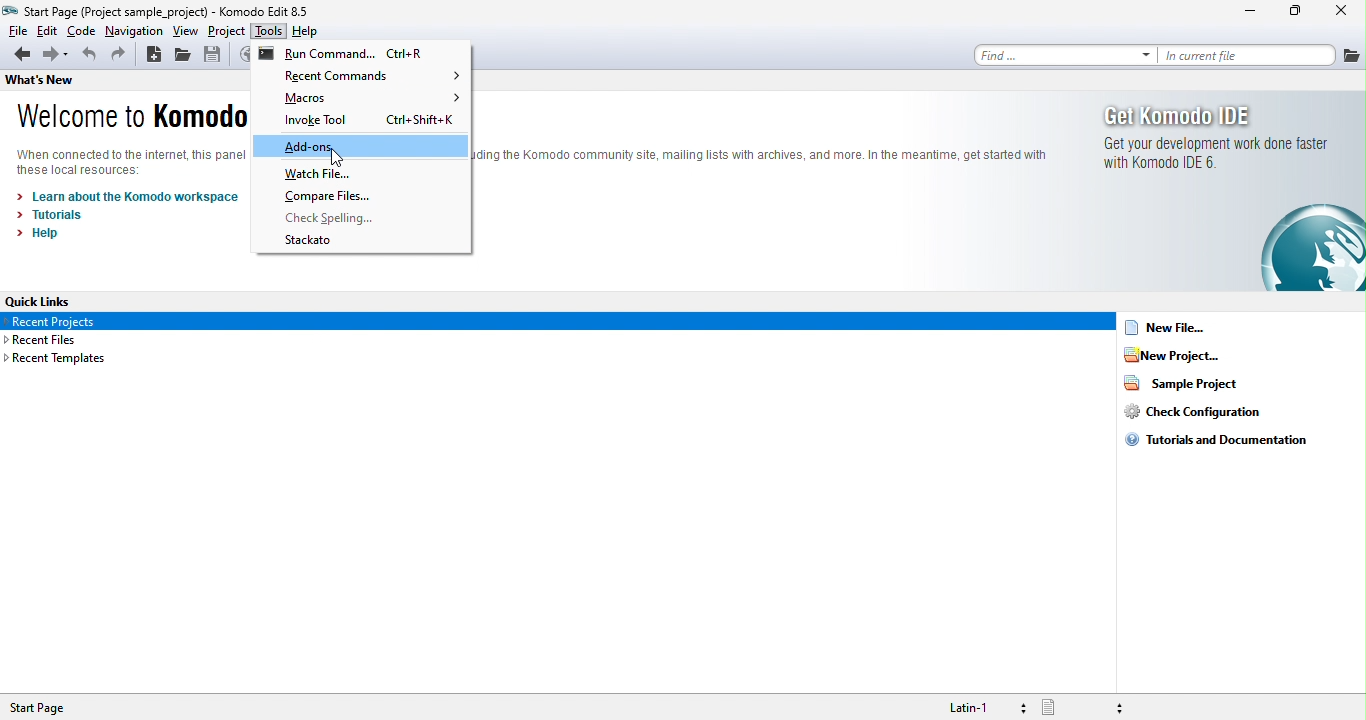  What do you see at coordinates (128, 157) in the screenshot?
I see `komodo text` at bounding box center [128, 157].